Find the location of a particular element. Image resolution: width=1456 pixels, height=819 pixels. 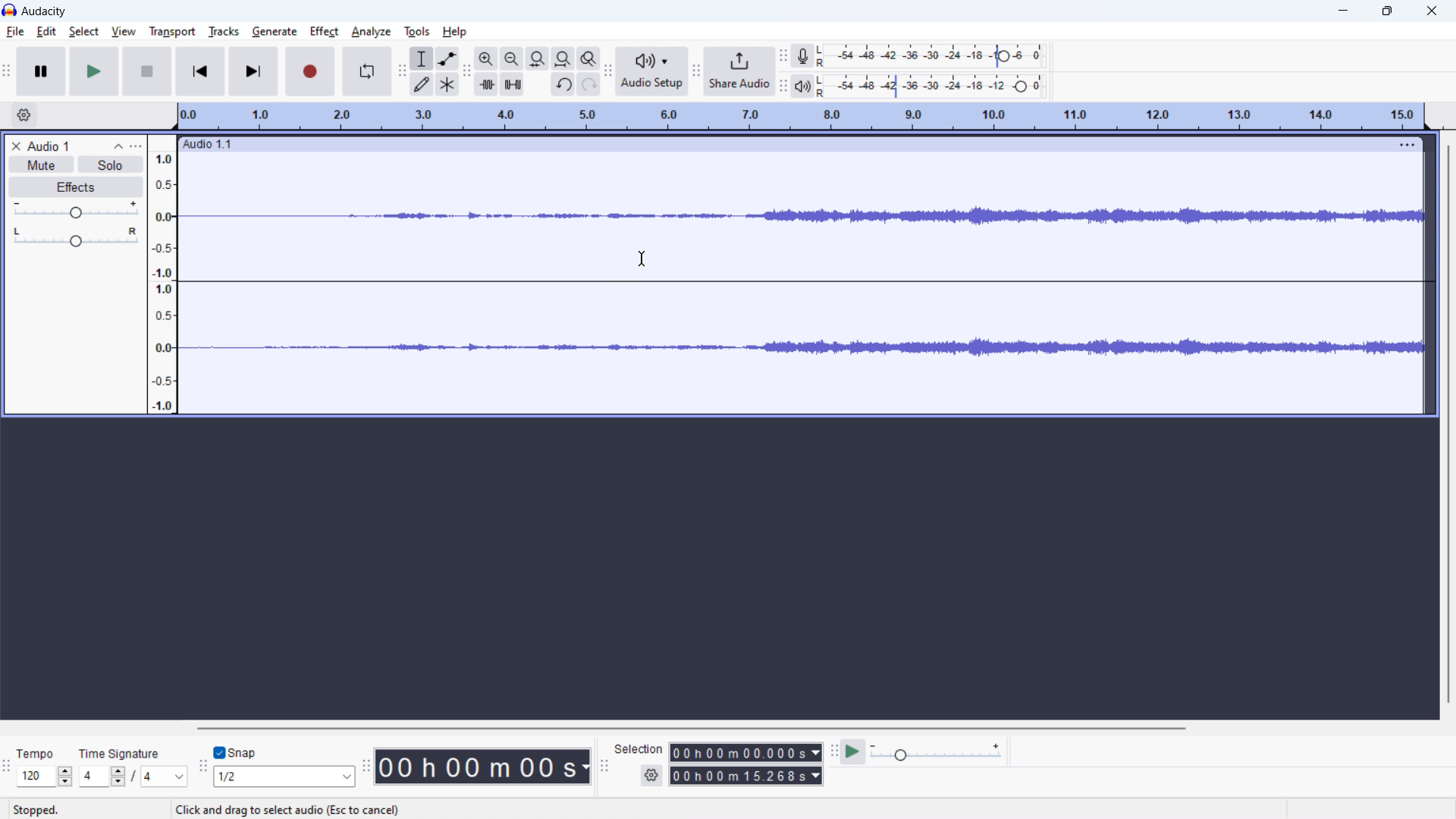

audio setup is located at coordinates (653, 71).